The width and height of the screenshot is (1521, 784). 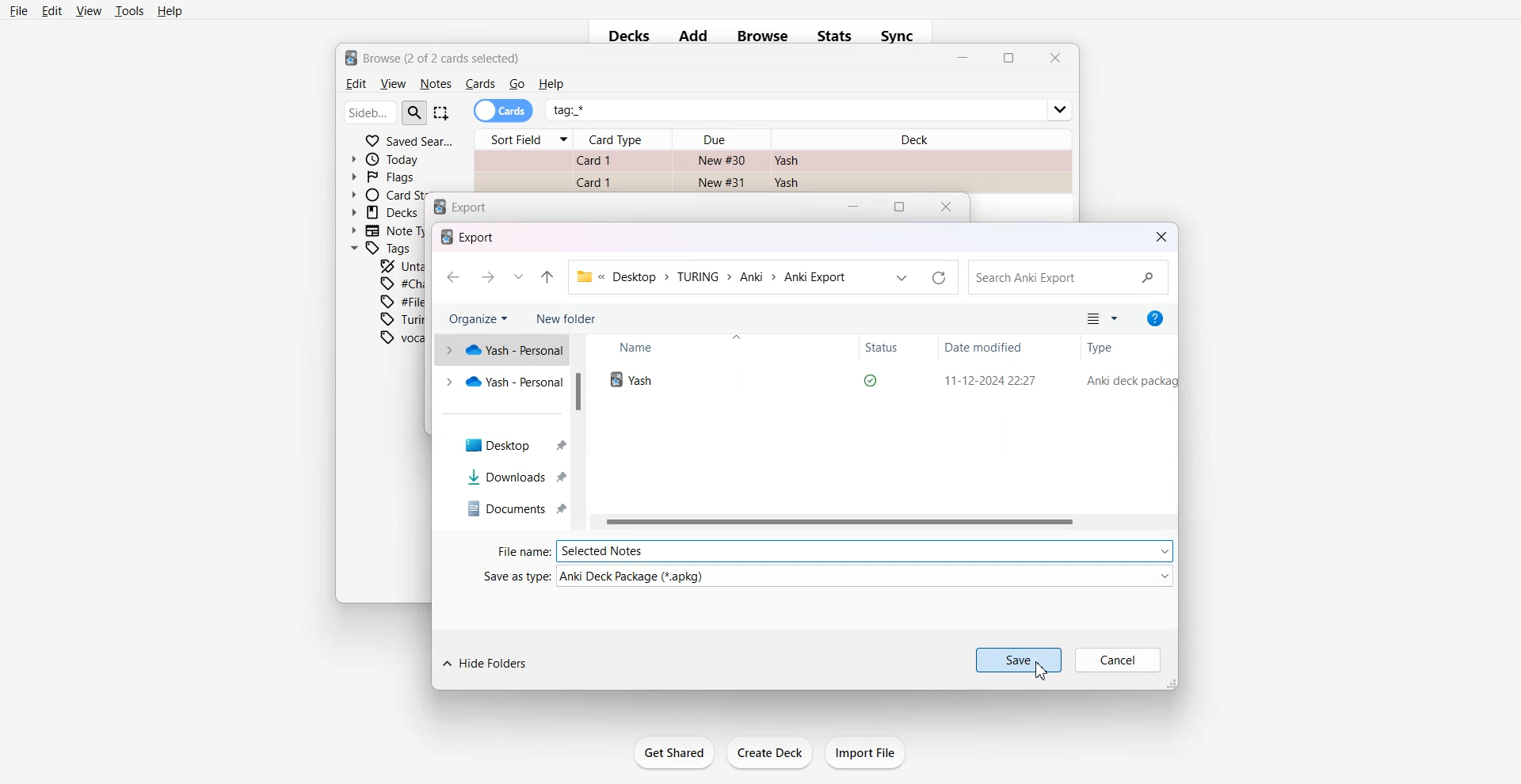 I want to click on Help, so click(x=170, y=12).